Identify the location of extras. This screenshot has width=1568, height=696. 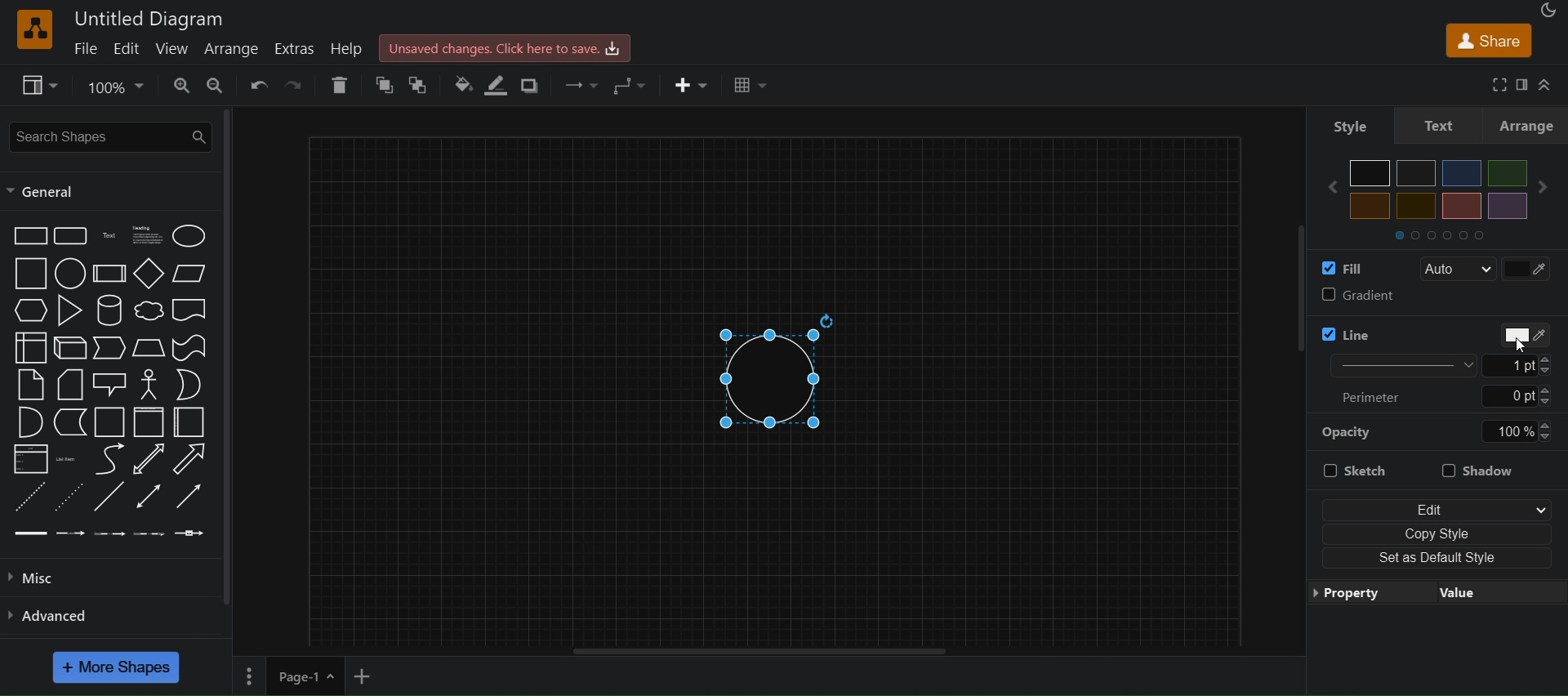
(299, 48).